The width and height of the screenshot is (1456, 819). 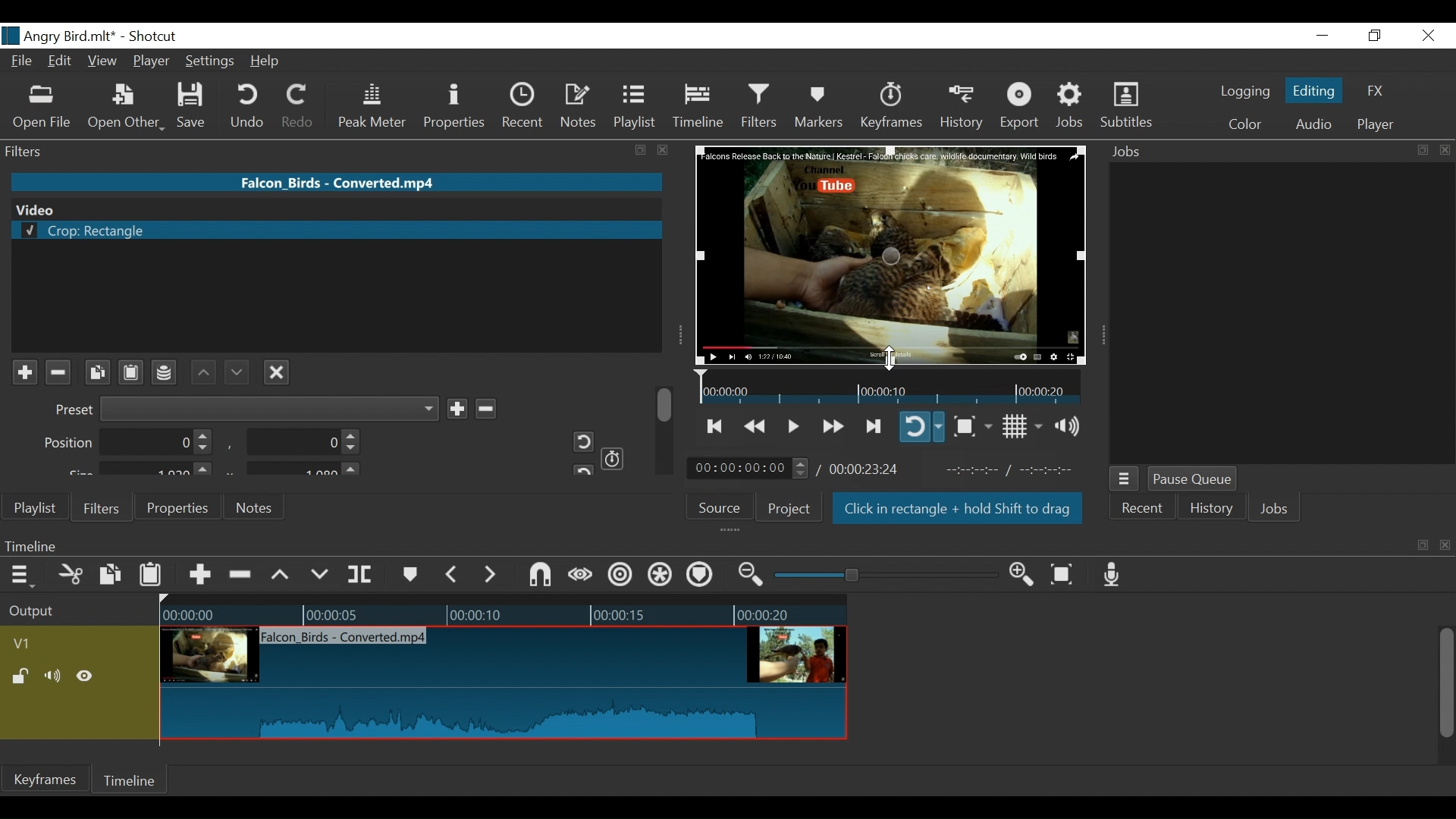 I want to click on Playlist, so click(x=36, y=508).